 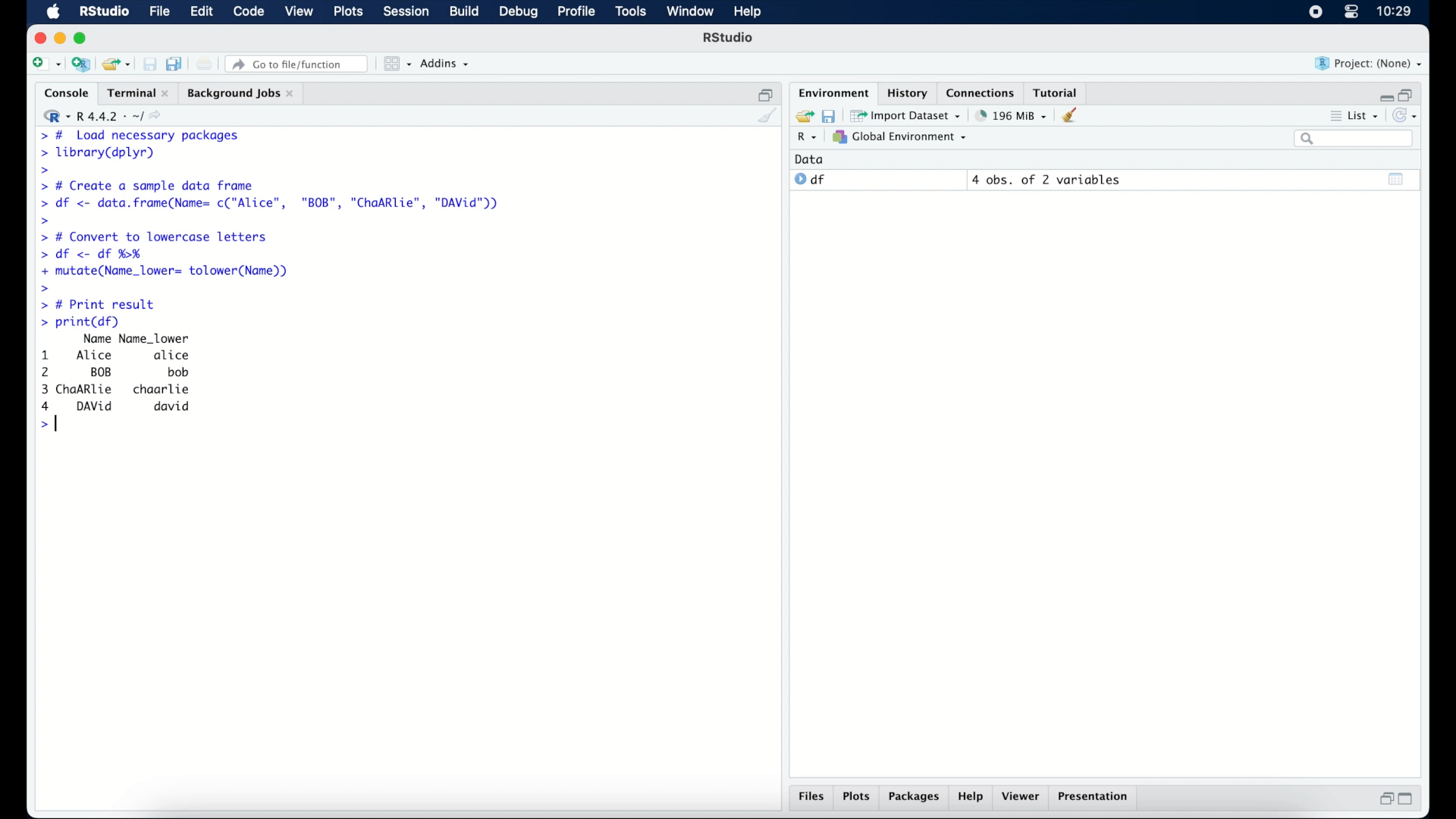 I want to click on print, so click(x=205, y=64).